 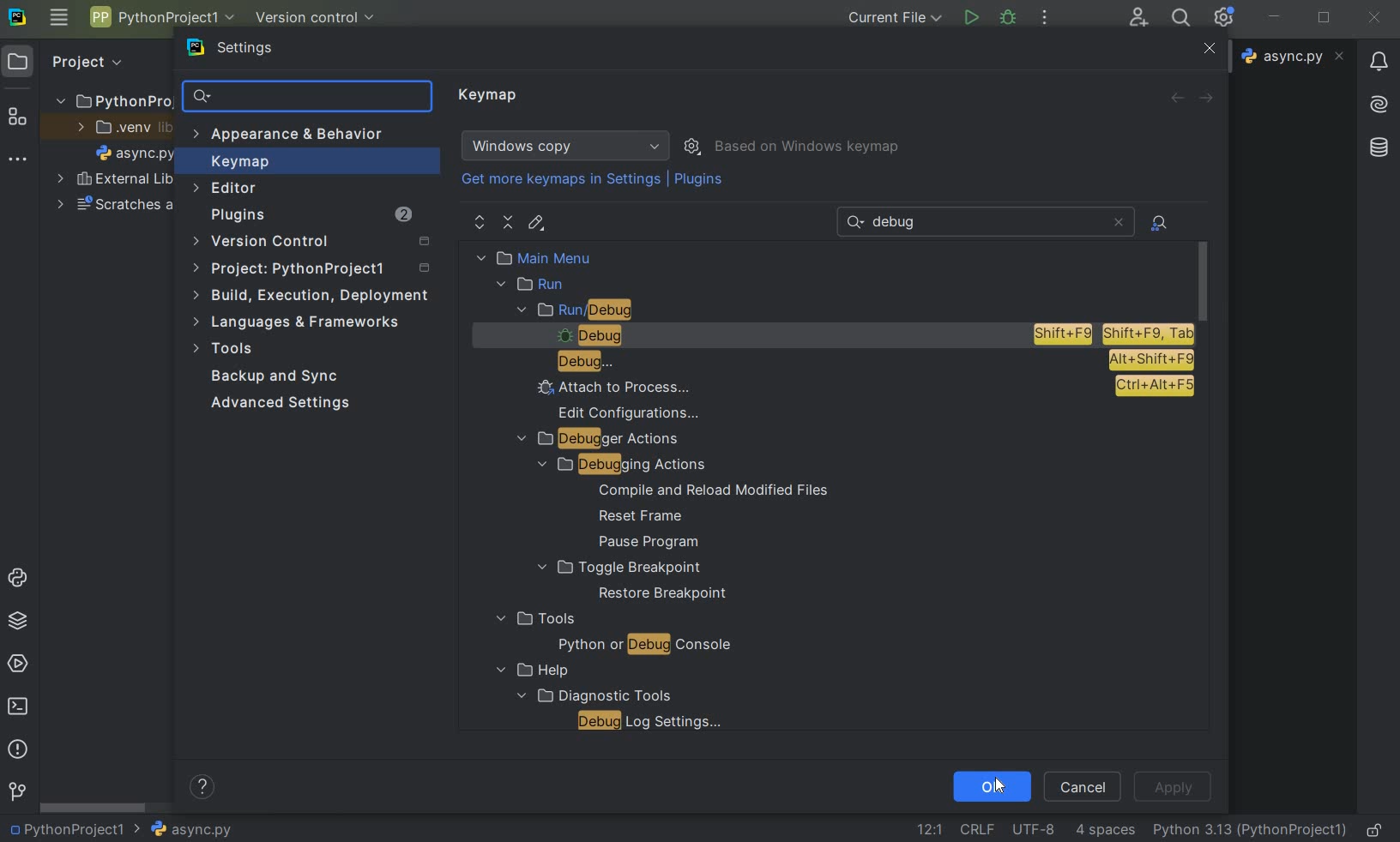 I want to click on keymap, so click(x=238, y=164).